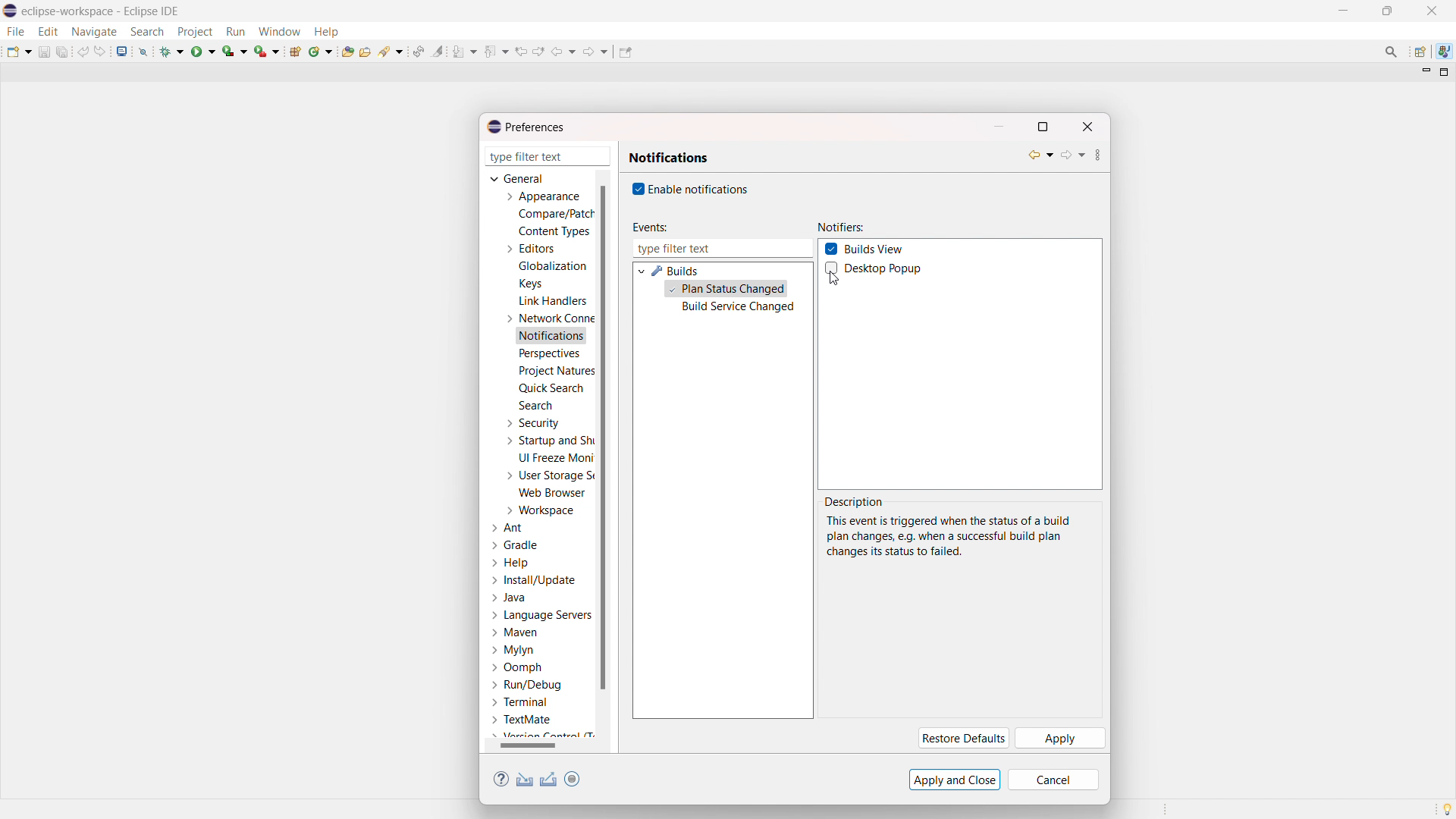  I want to click on keys, so click(530, 283).